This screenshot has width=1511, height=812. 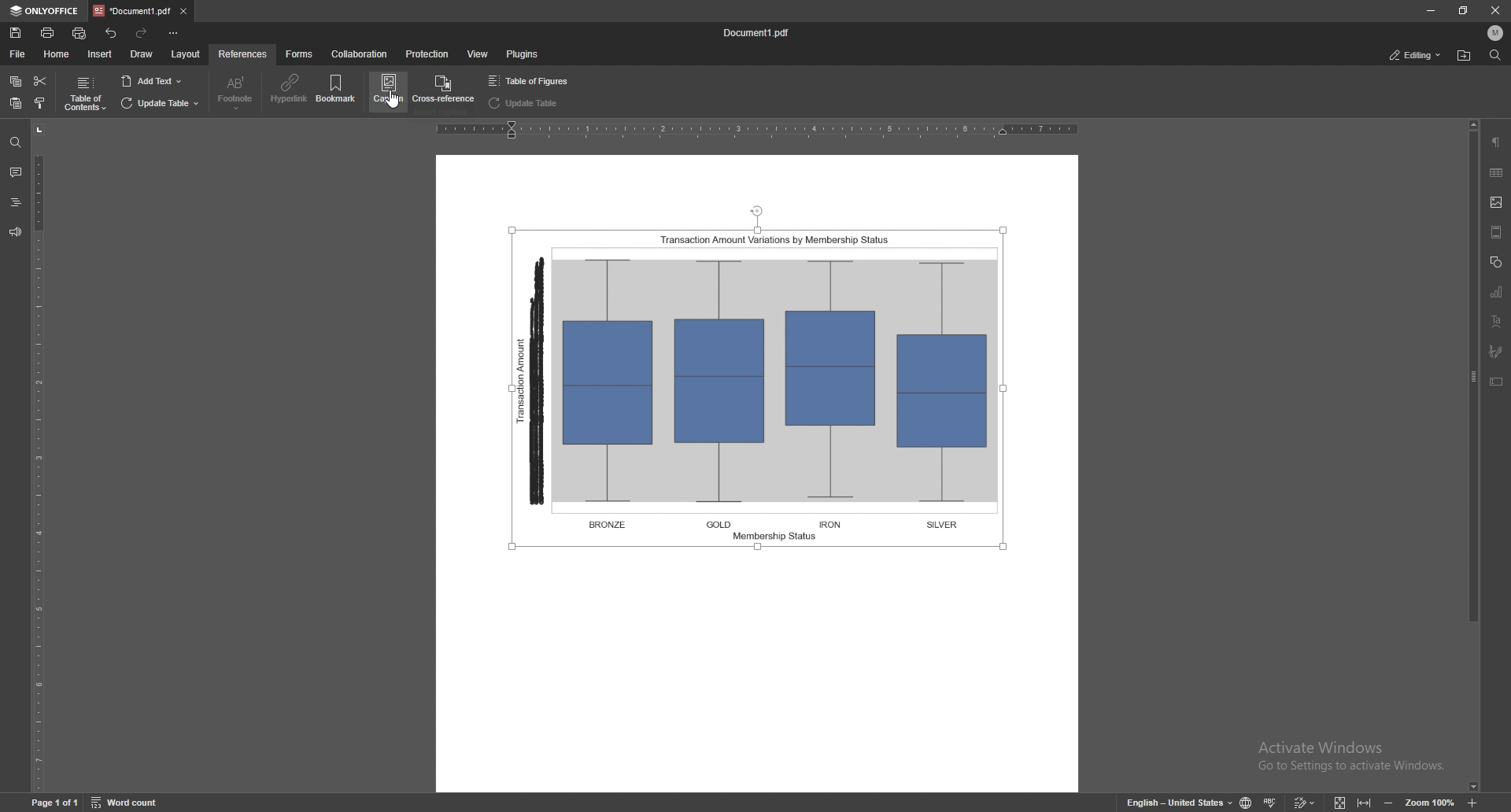 I want to click on scroll bar, so click(x=1471, y=456).